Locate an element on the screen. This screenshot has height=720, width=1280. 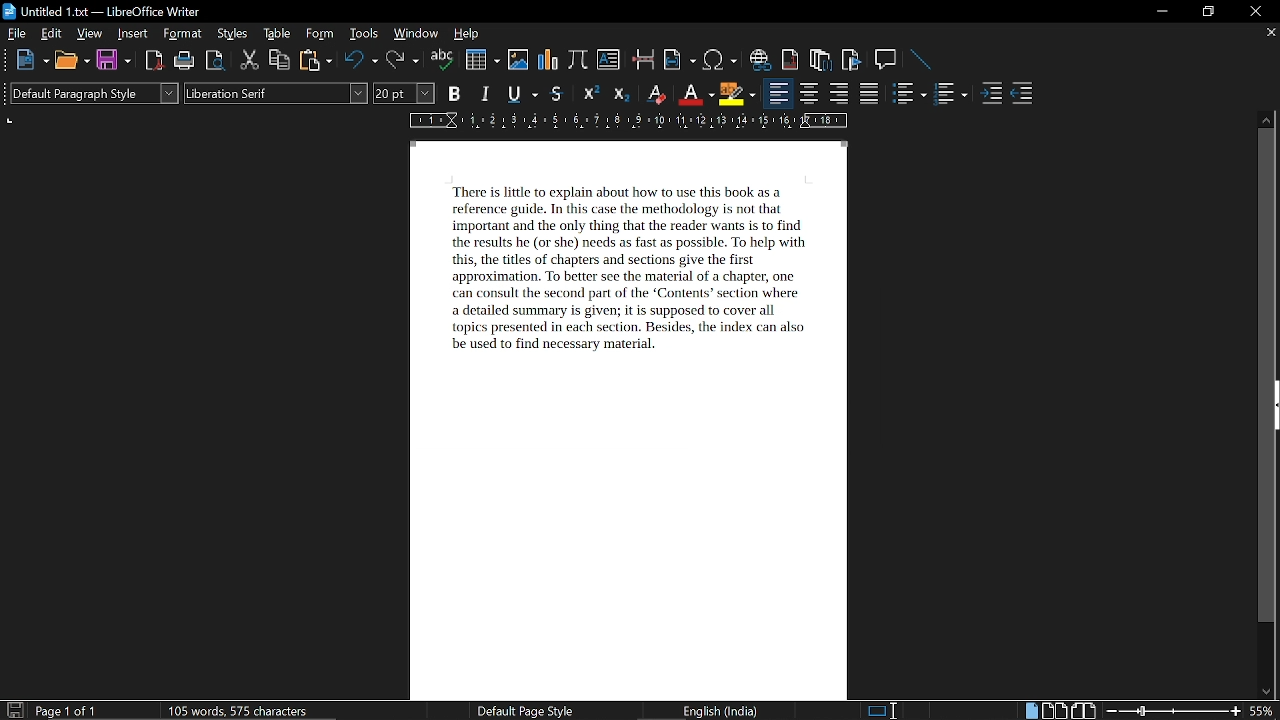
current zoom is located at coordinates (1264, 710).